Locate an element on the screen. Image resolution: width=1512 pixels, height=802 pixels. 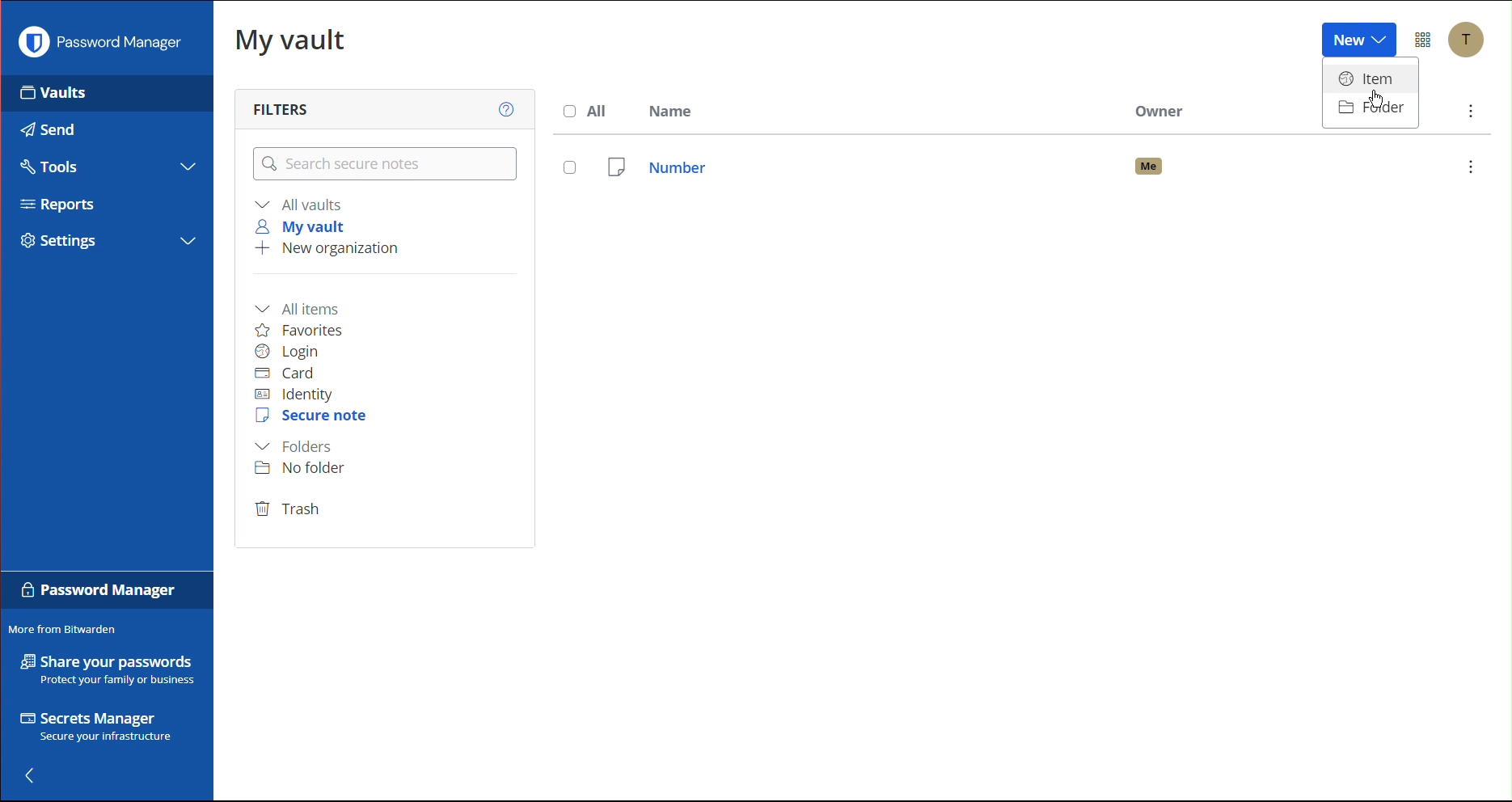
Item is located at coordinates (1374, 78).